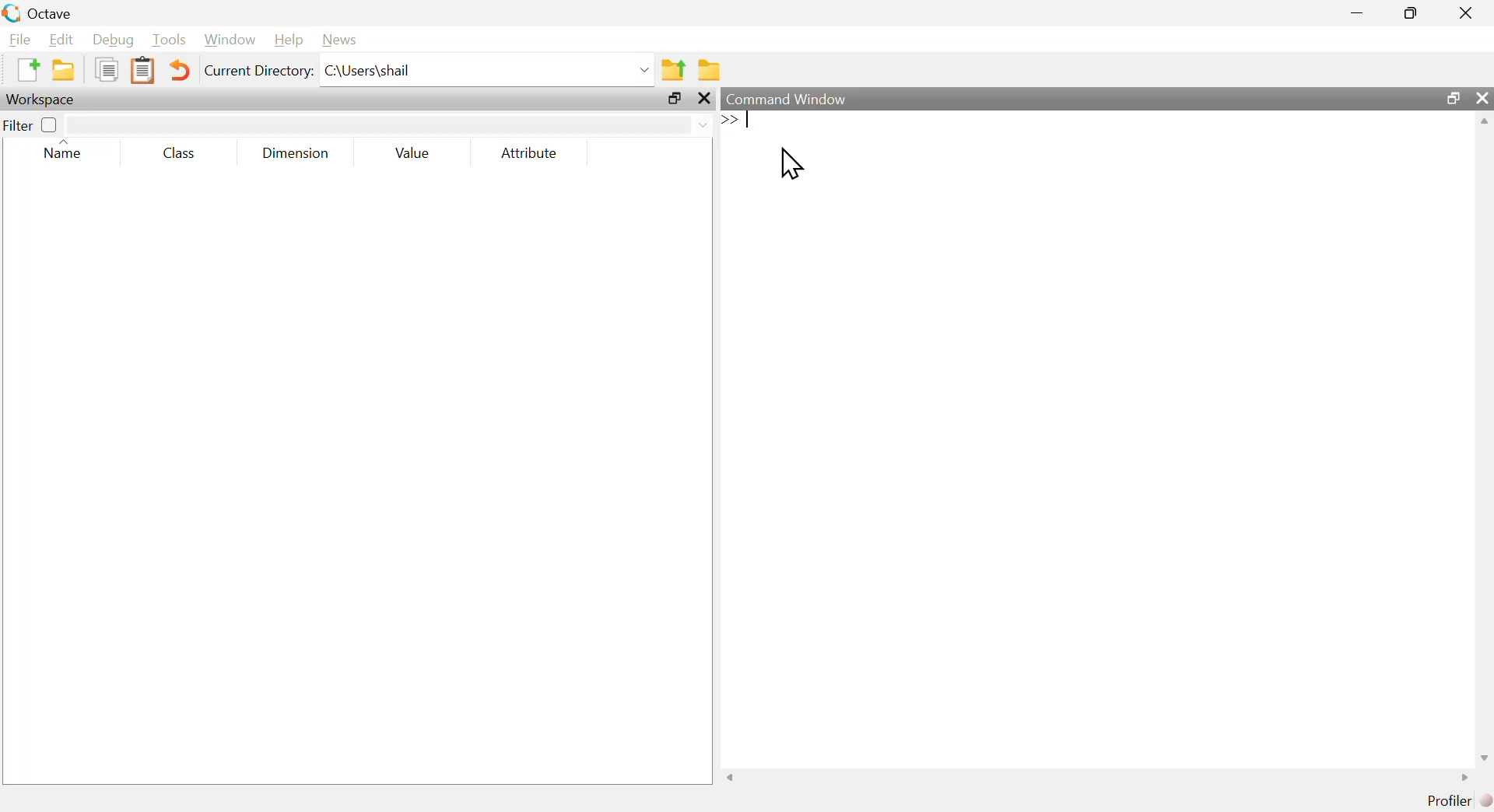 The height and width of the screenshot is (812, 1494). I want to click on typing cursor, so click(742, 122).